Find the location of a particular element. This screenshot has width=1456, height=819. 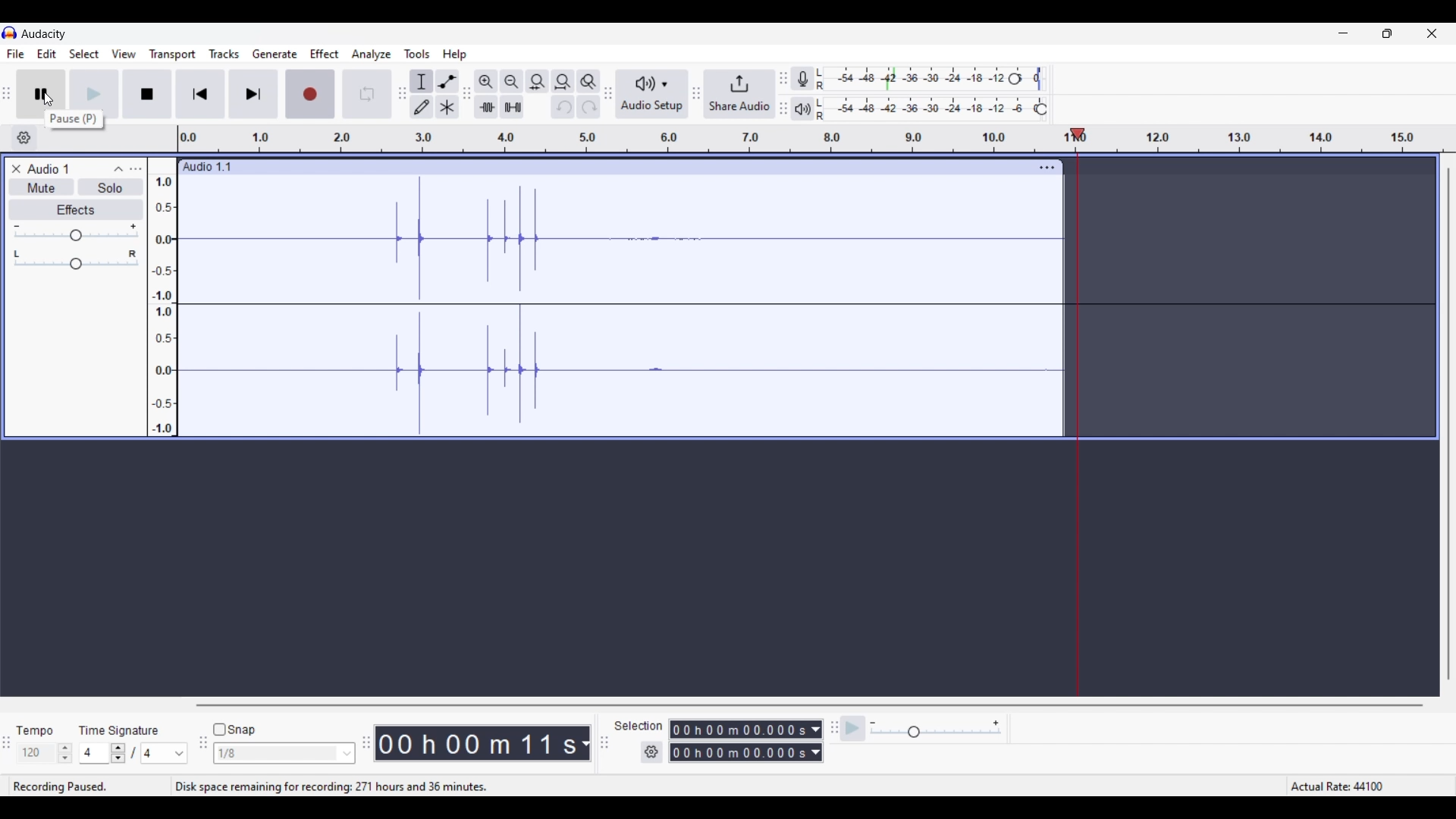

Recorded track is located at coordinates (595, 305).